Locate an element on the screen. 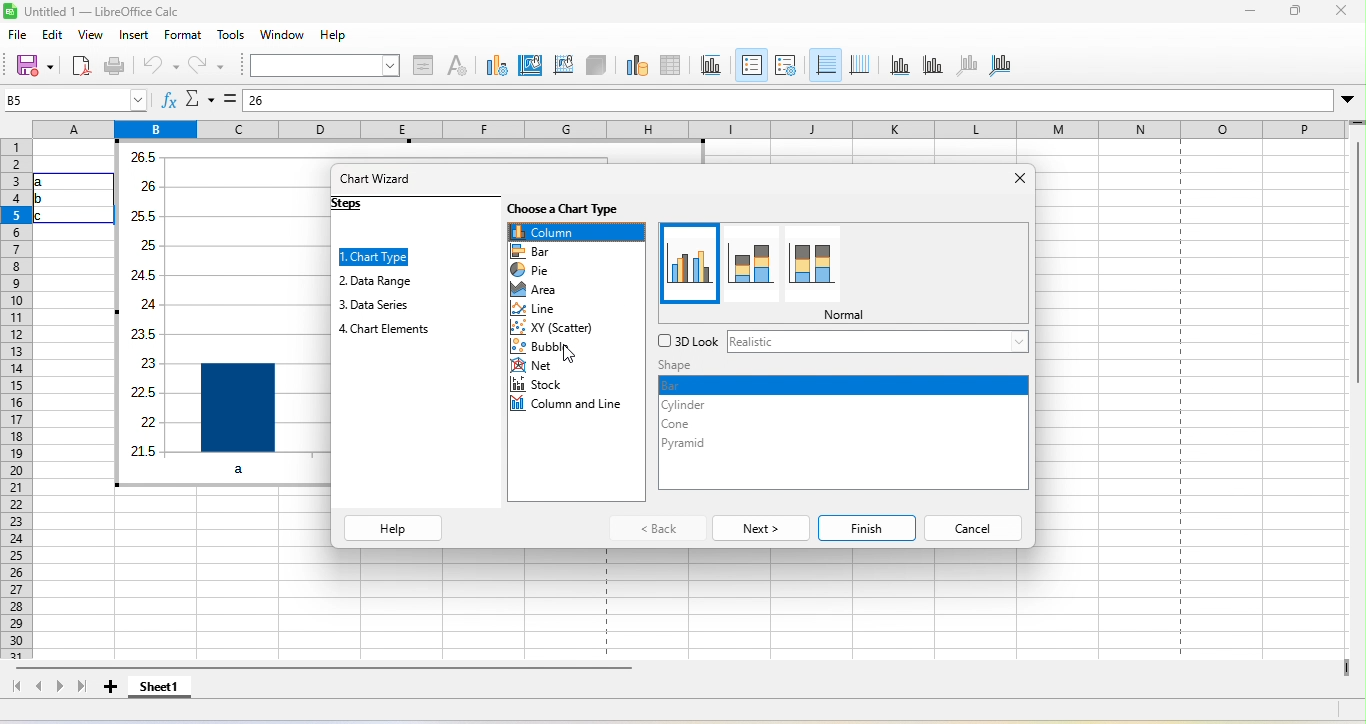 This screenshot has width=1366, height=724. data range is located at coordinates (390, 282).